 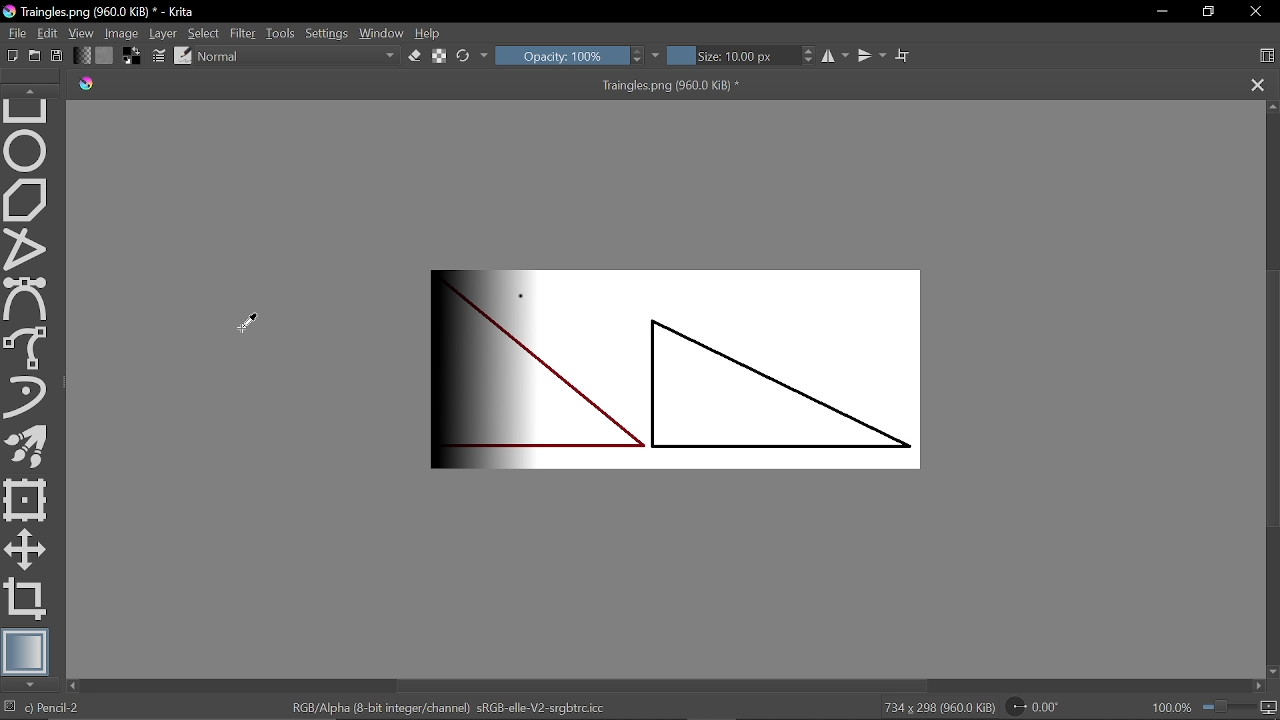 I want to click on Dynamic brush tool, so click(x=26, y=397).